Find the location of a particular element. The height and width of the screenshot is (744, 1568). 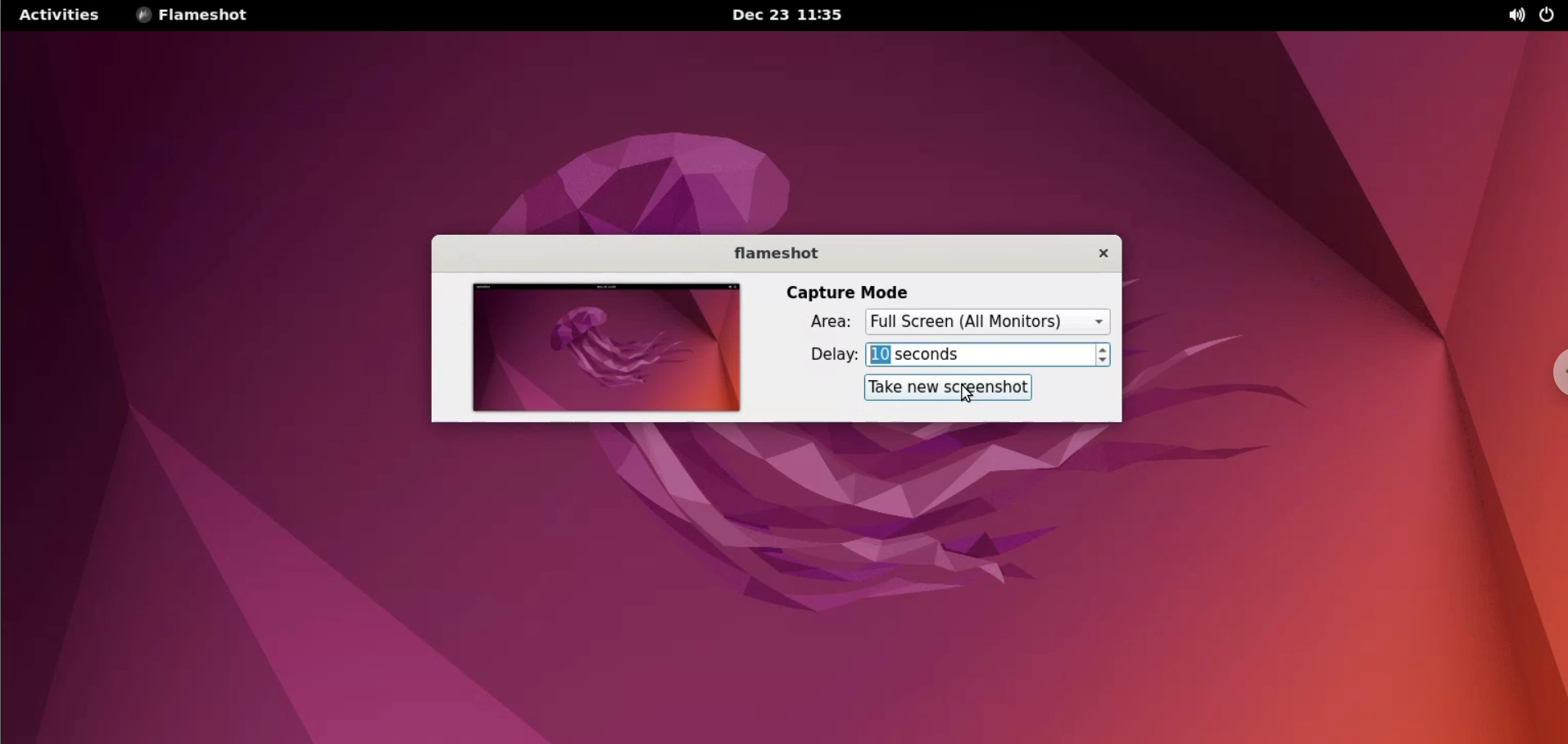

cursor is located at coordinates (968, 397).